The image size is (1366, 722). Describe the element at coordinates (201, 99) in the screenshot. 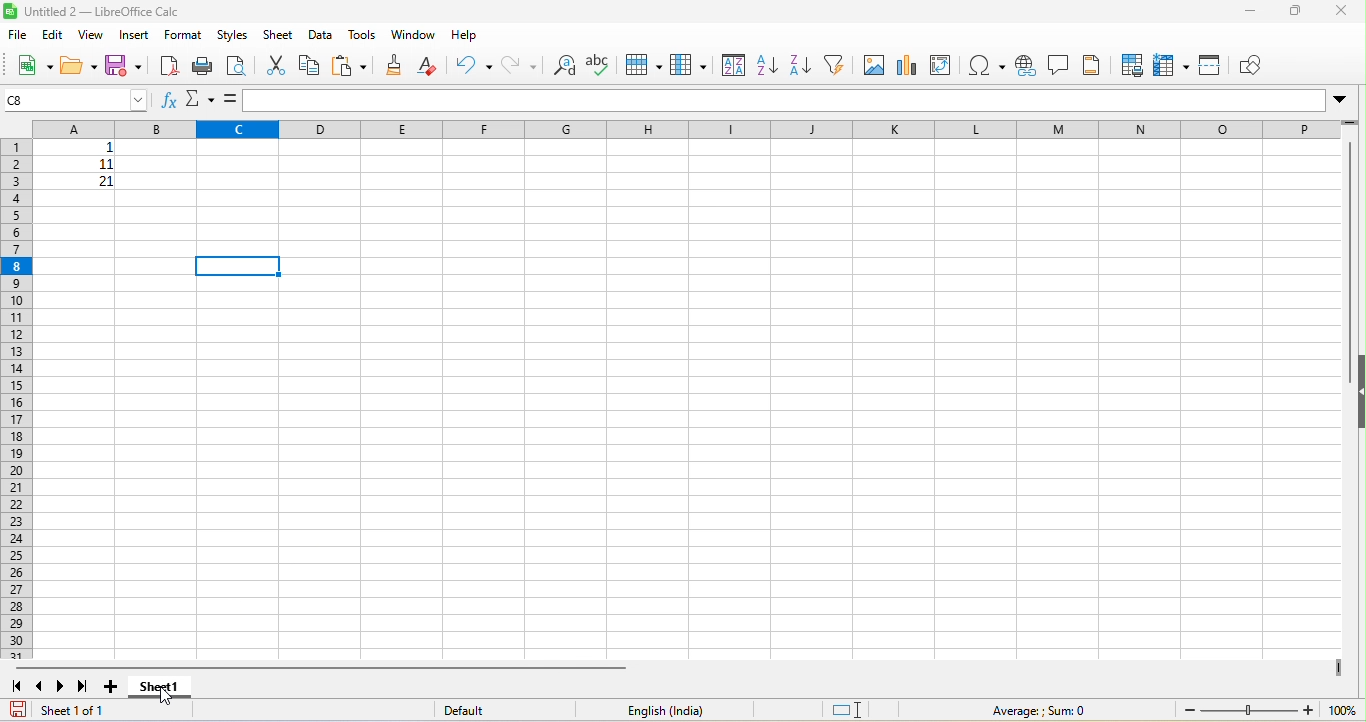

I see `select function` at that location.